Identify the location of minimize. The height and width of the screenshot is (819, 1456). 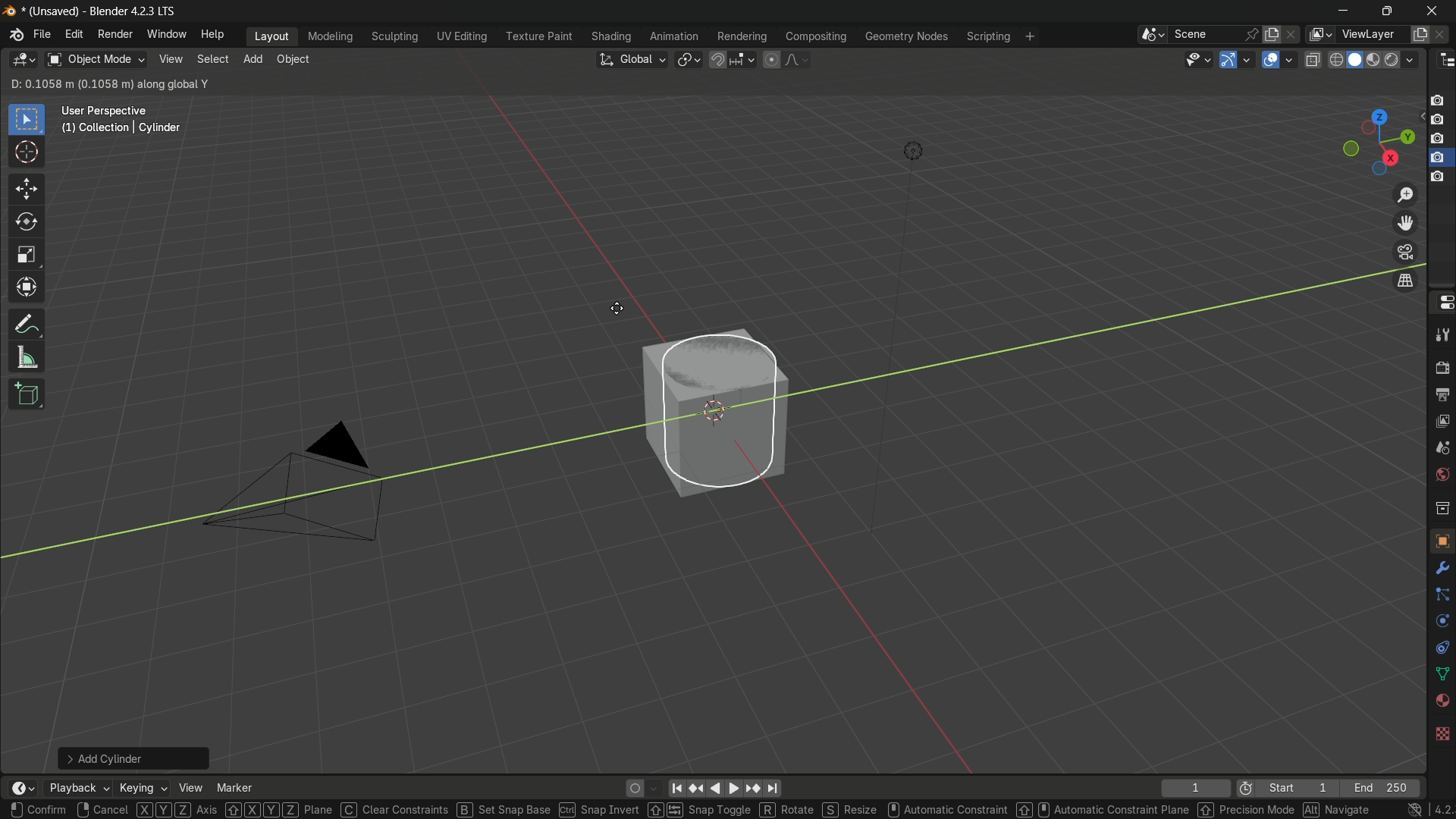
(1344, 12).